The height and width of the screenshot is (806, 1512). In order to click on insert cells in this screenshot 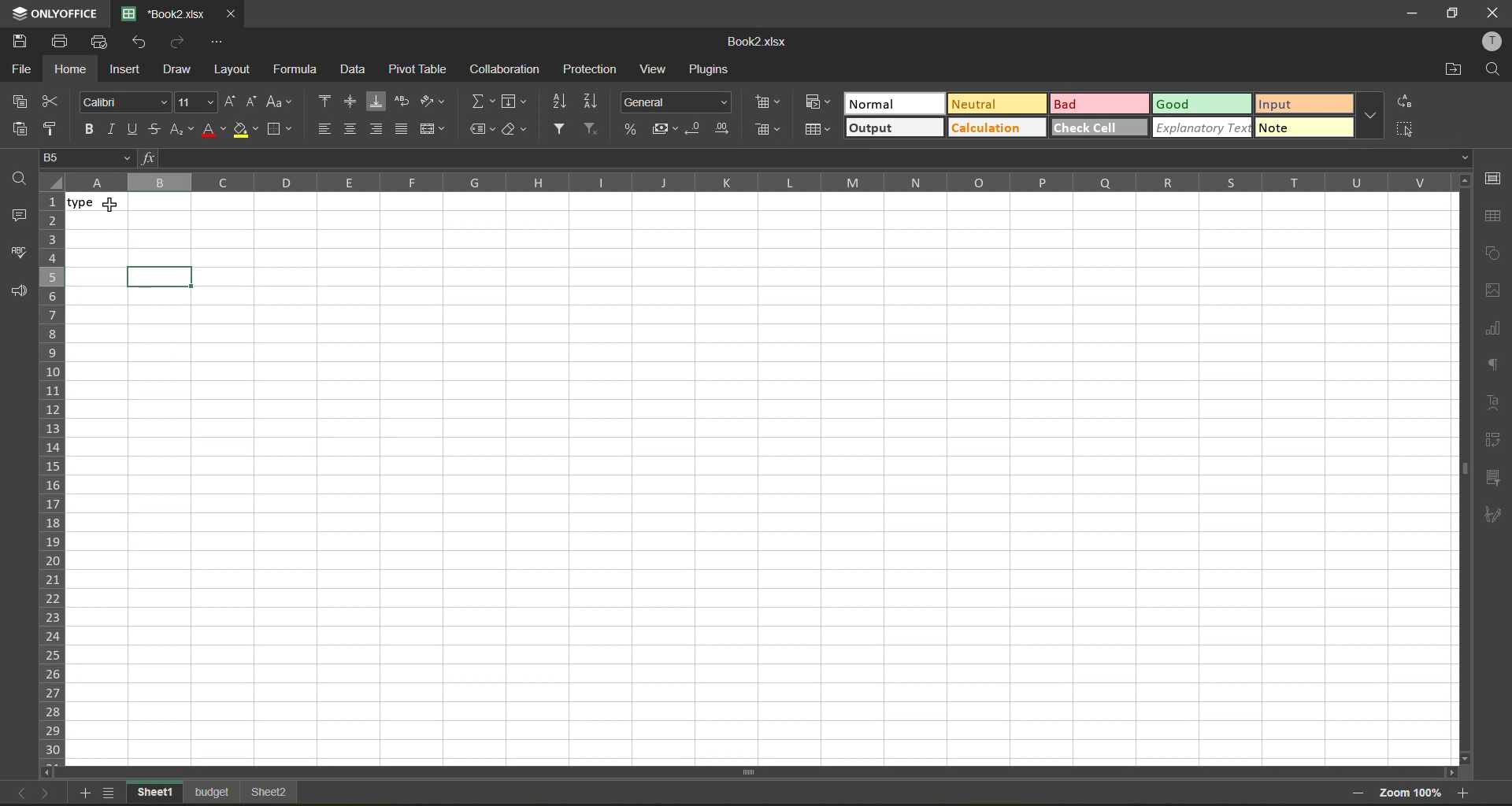, I will do `click(769, 102)`.